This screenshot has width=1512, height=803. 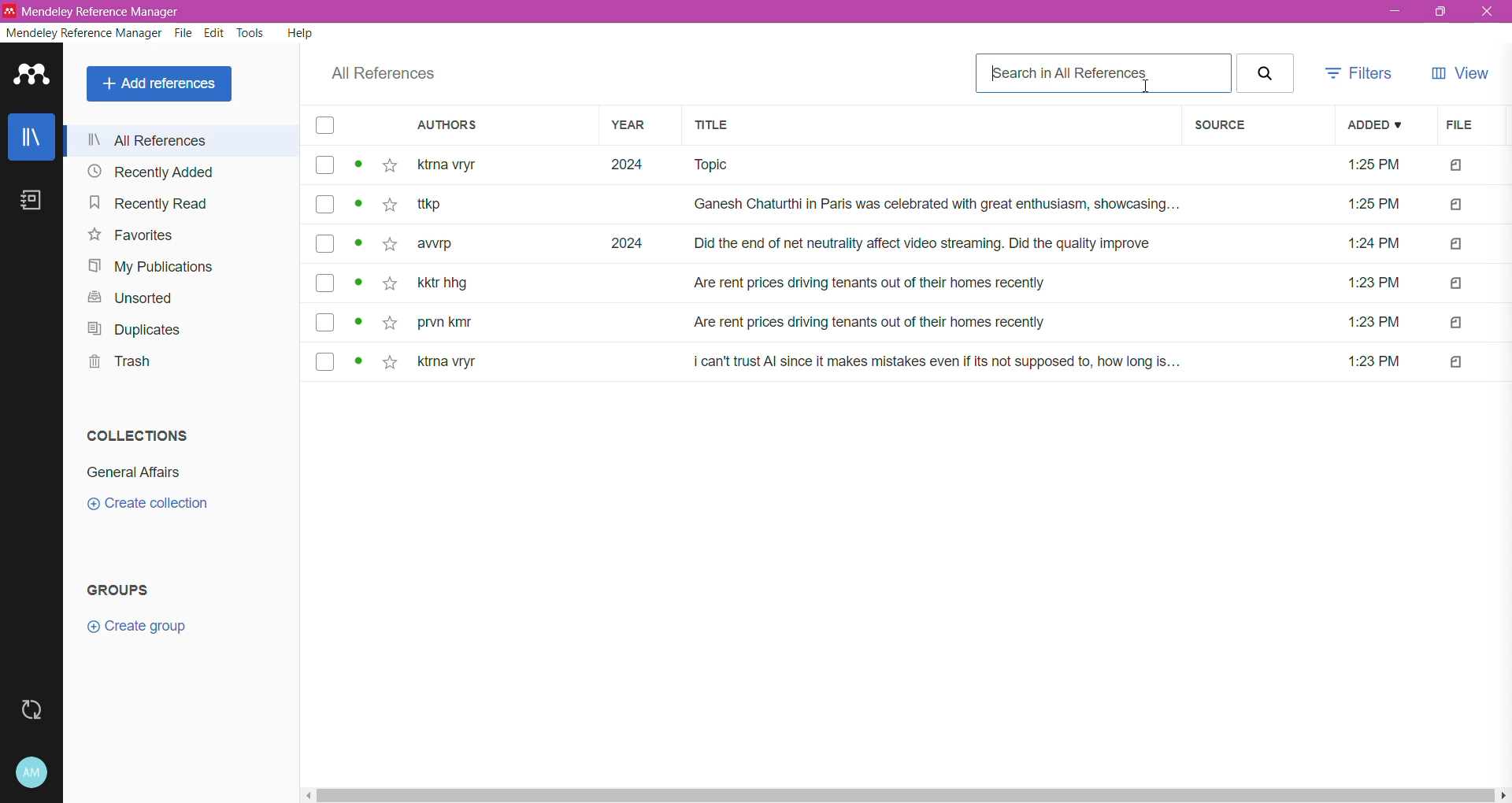 I want to click on Collections, so click(x=139, y=435).